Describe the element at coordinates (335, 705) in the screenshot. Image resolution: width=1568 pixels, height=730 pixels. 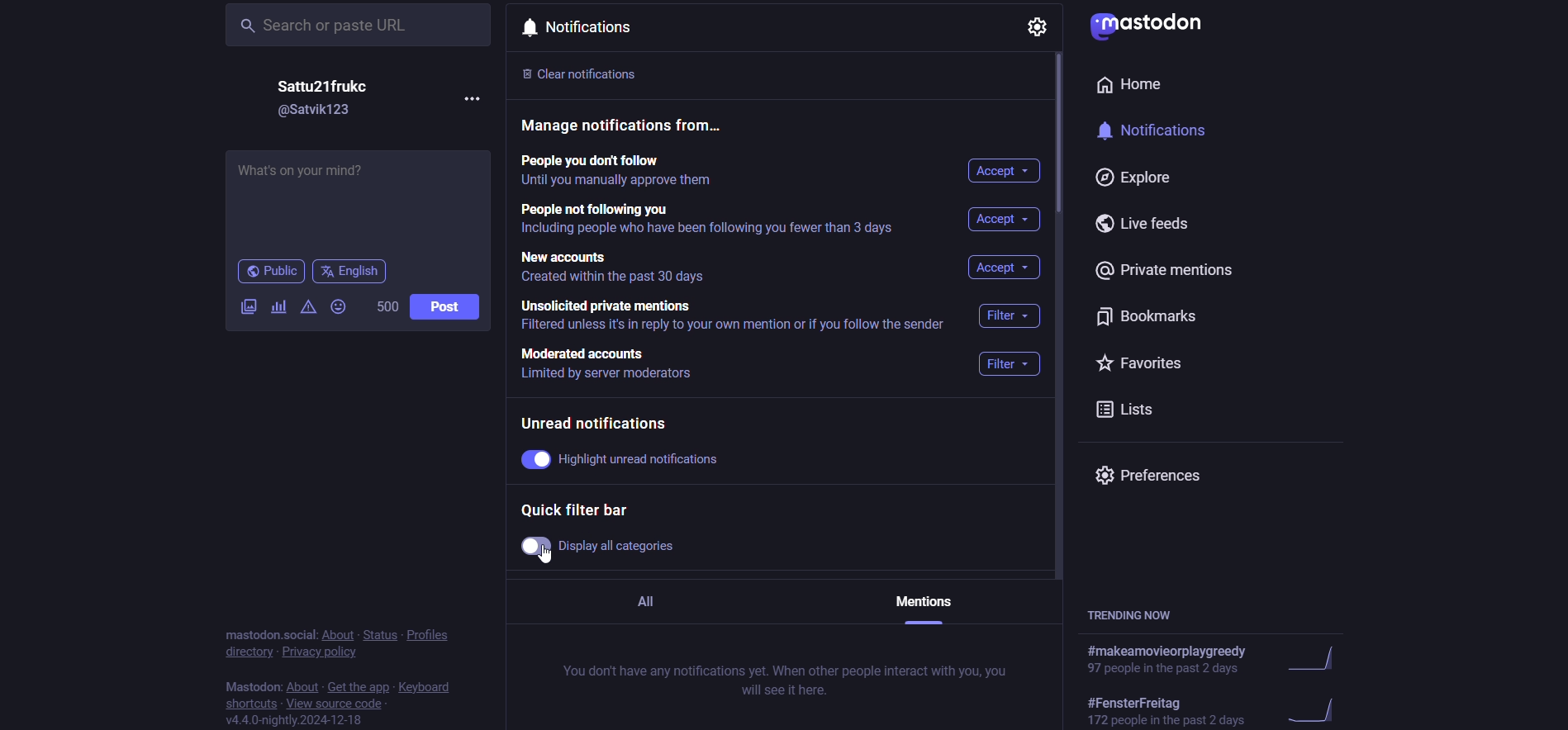
I see `view source code` at that location.